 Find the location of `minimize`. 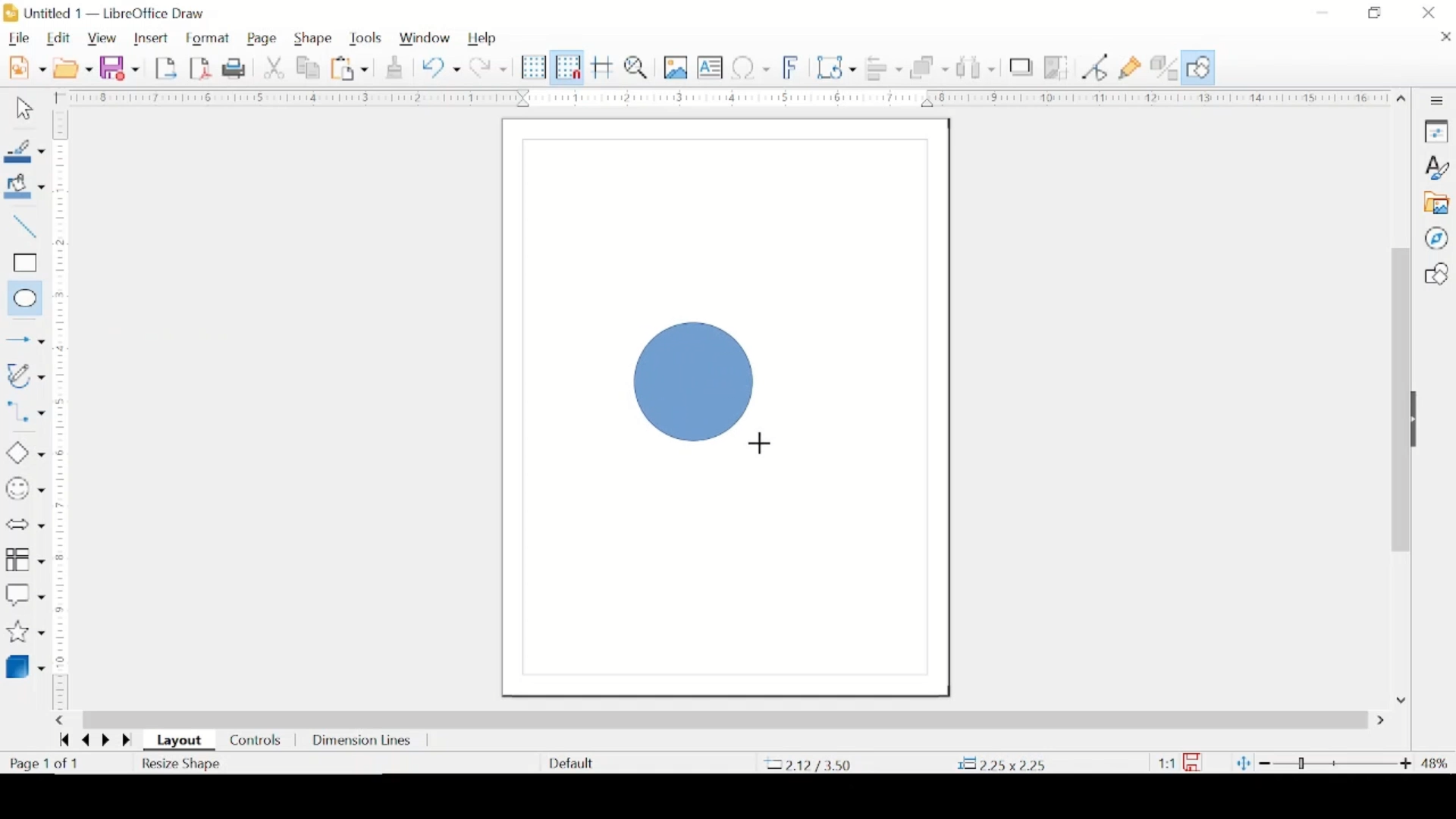

minimize is located at coordinates (1324, 11).